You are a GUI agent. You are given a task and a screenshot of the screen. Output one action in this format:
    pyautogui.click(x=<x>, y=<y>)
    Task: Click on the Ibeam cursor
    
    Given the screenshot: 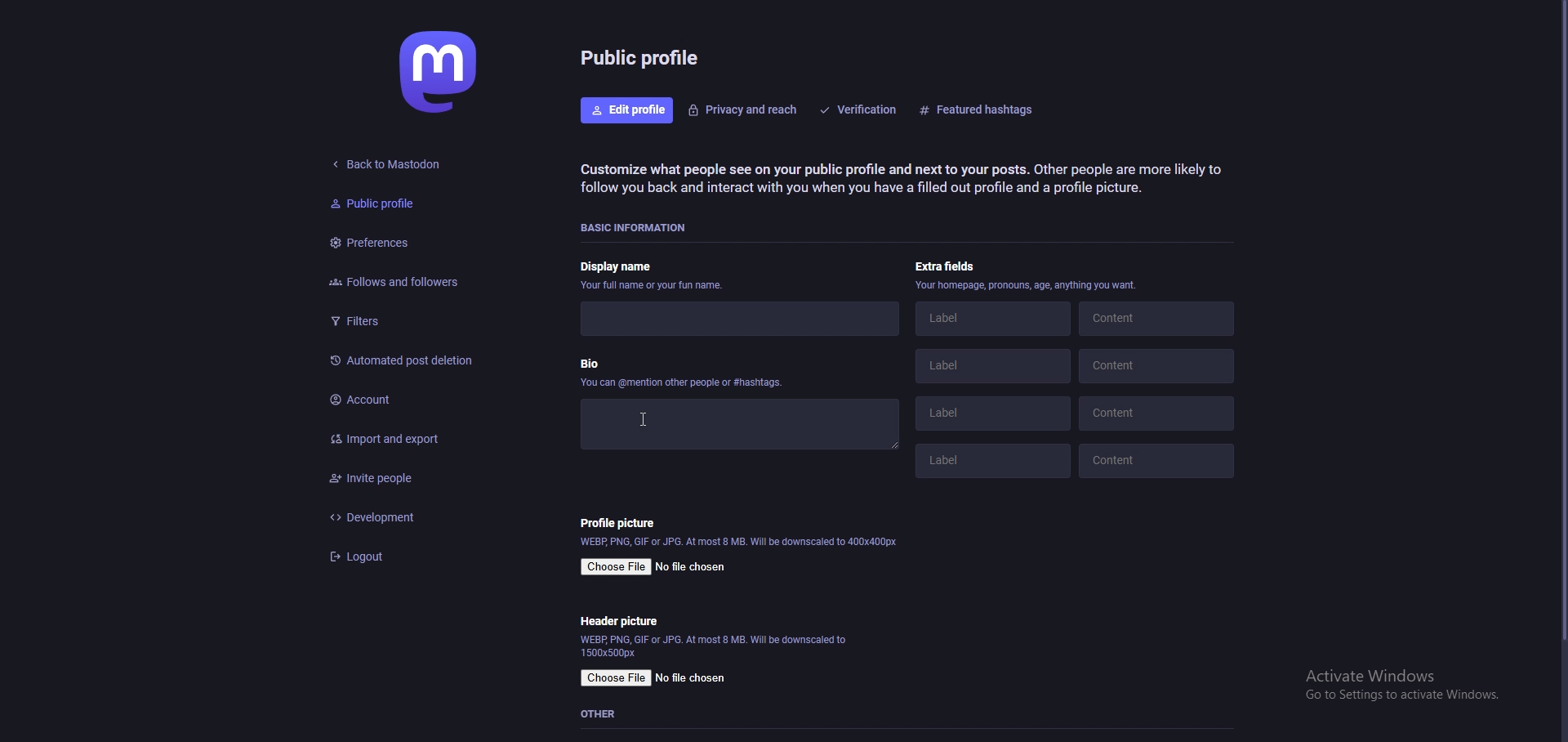 What is the action you would take?
    pyautogui.click(x=636, y=418)
    